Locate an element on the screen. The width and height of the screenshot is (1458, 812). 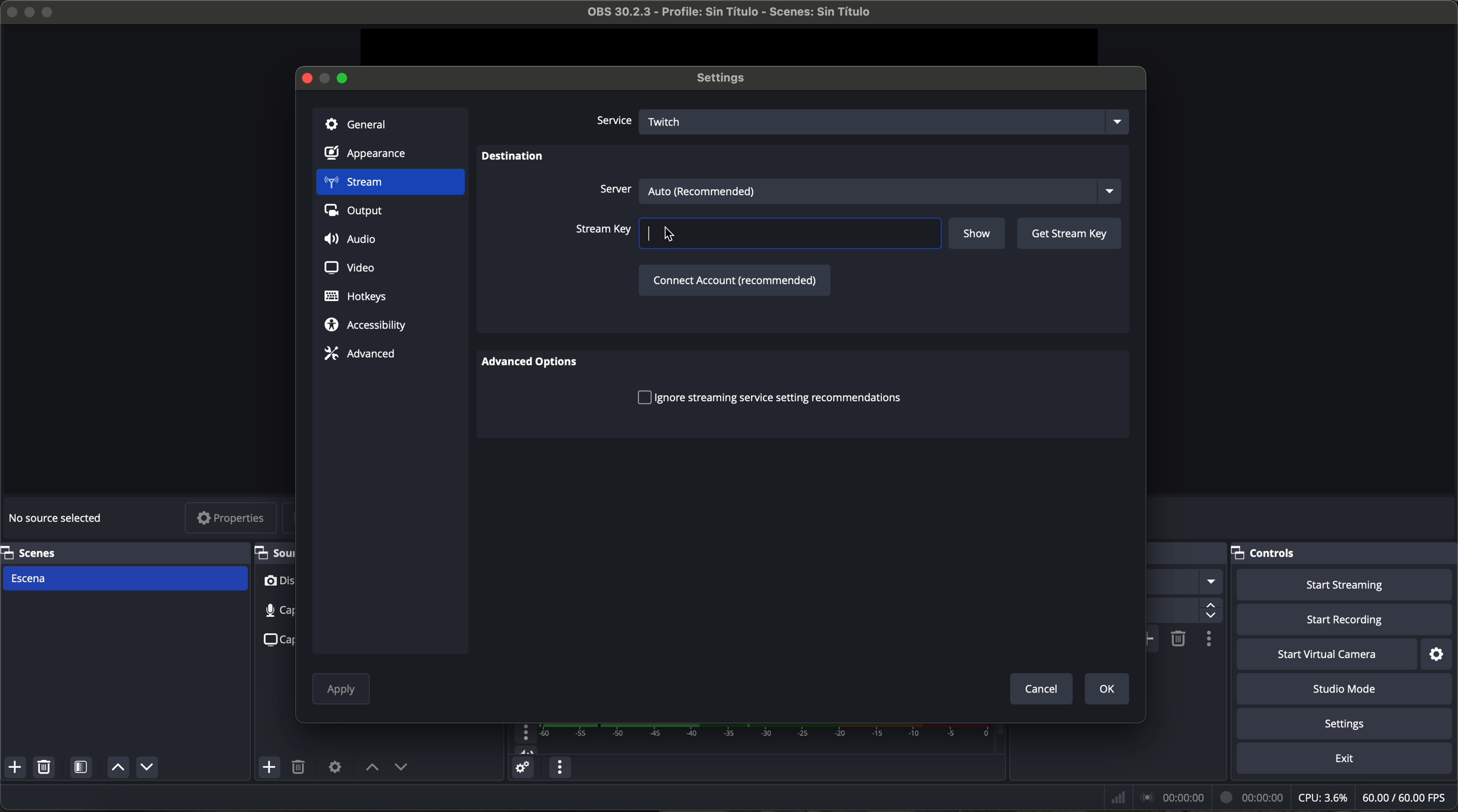
maximize is located at coordinates (50, 12).